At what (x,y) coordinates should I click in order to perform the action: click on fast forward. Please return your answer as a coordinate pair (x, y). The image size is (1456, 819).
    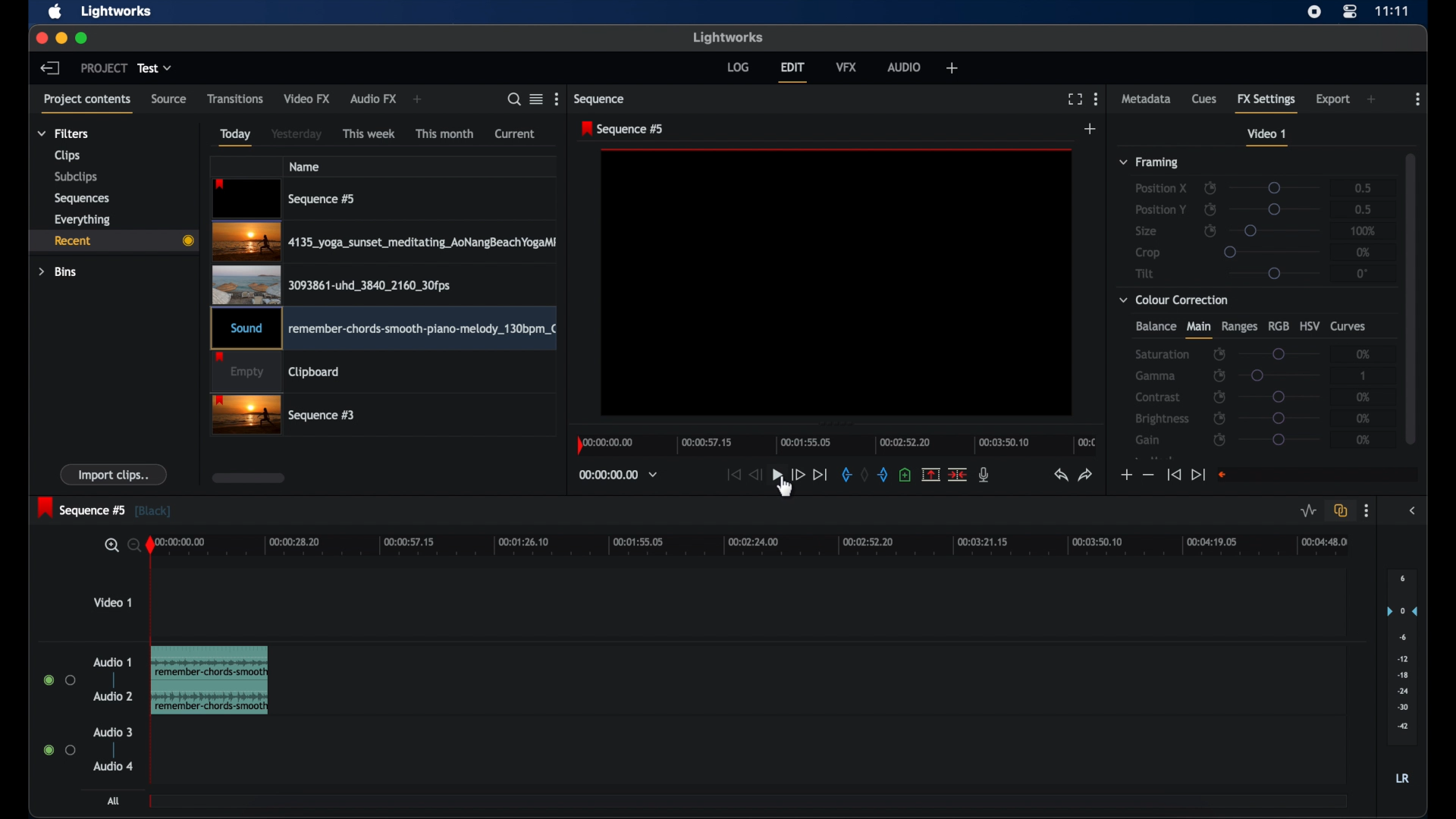
    Looking at the image, I should click on (798, 475).